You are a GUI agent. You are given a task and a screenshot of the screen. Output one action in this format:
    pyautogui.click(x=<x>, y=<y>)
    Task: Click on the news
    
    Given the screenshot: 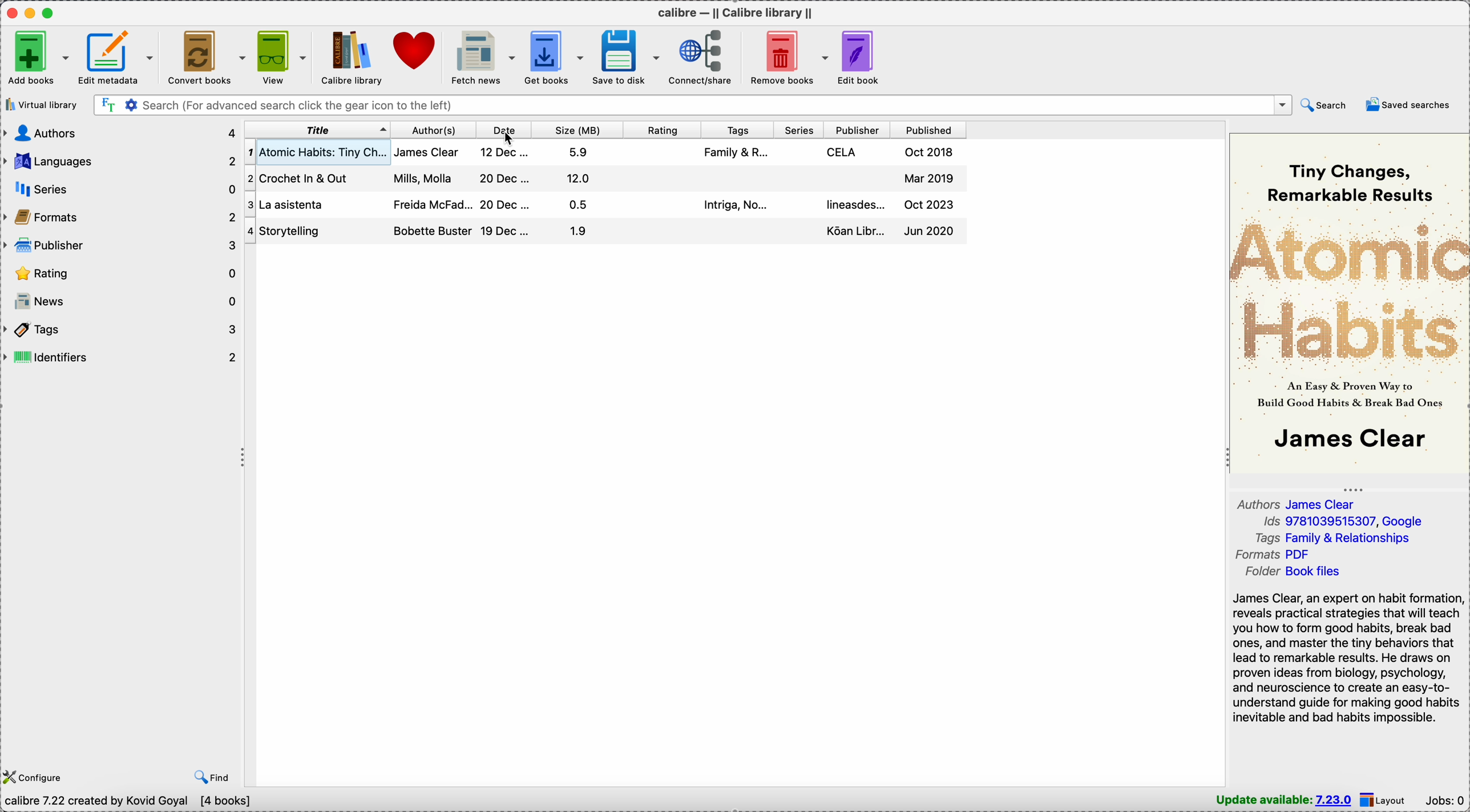 What is the action you would take?
    pyautogui.click(x=122, y=303)
    